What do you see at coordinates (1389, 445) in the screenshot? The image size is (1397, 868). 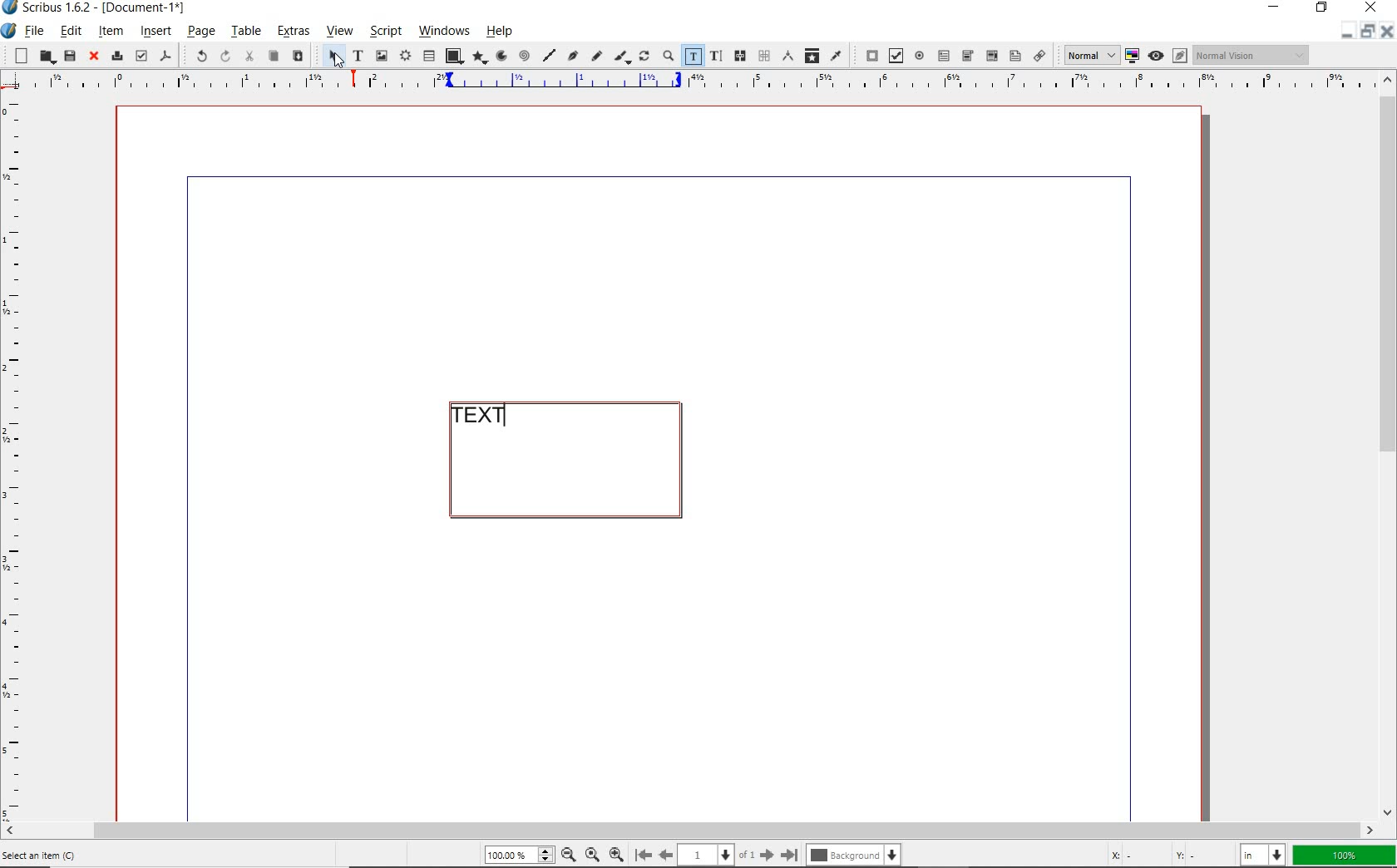 I see `scrollbar` at bounding box center [1389, 445].